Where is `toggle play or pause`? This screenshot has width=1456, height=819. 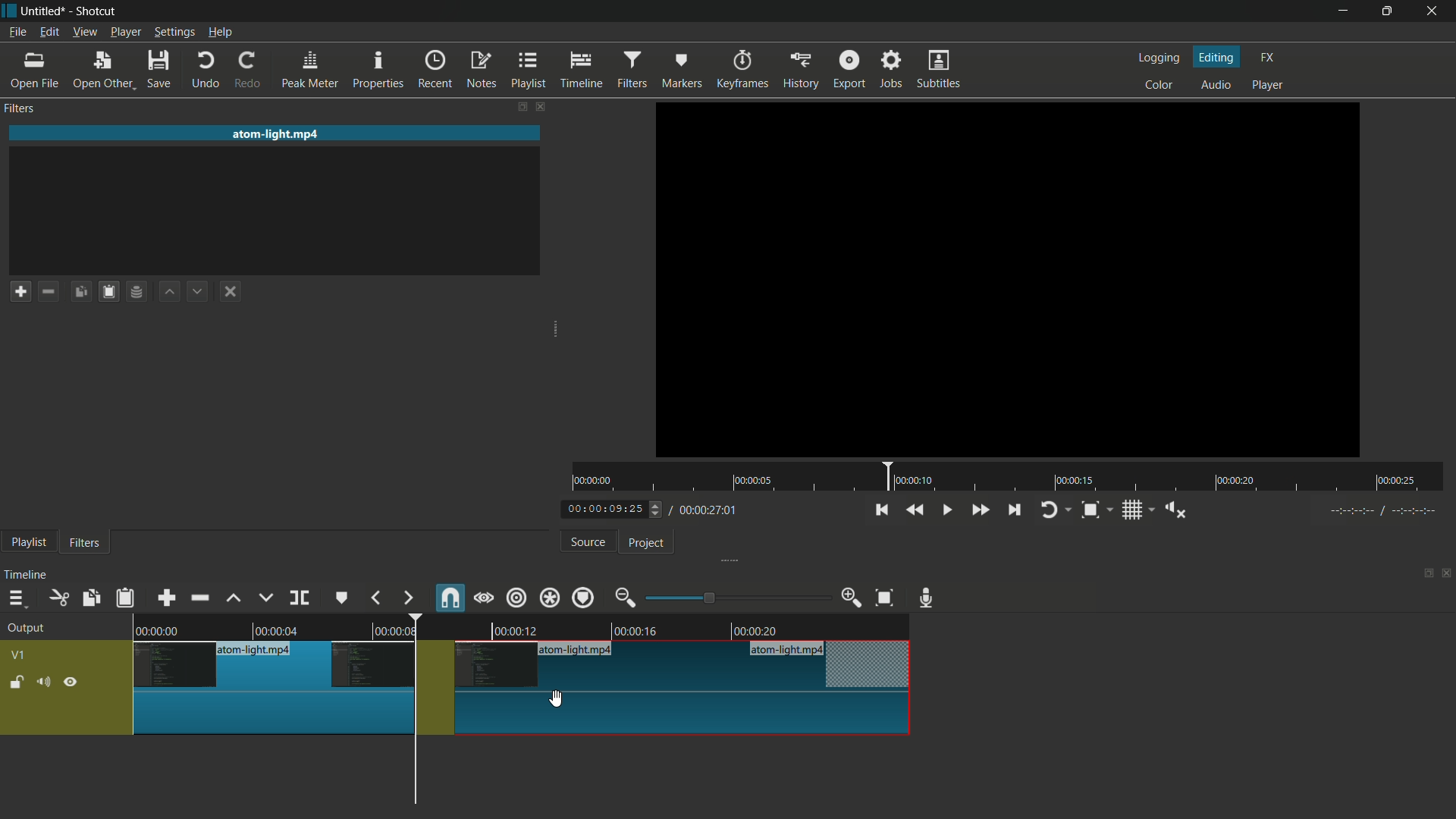 toggle play or pause is located at coordinates (945, 508).